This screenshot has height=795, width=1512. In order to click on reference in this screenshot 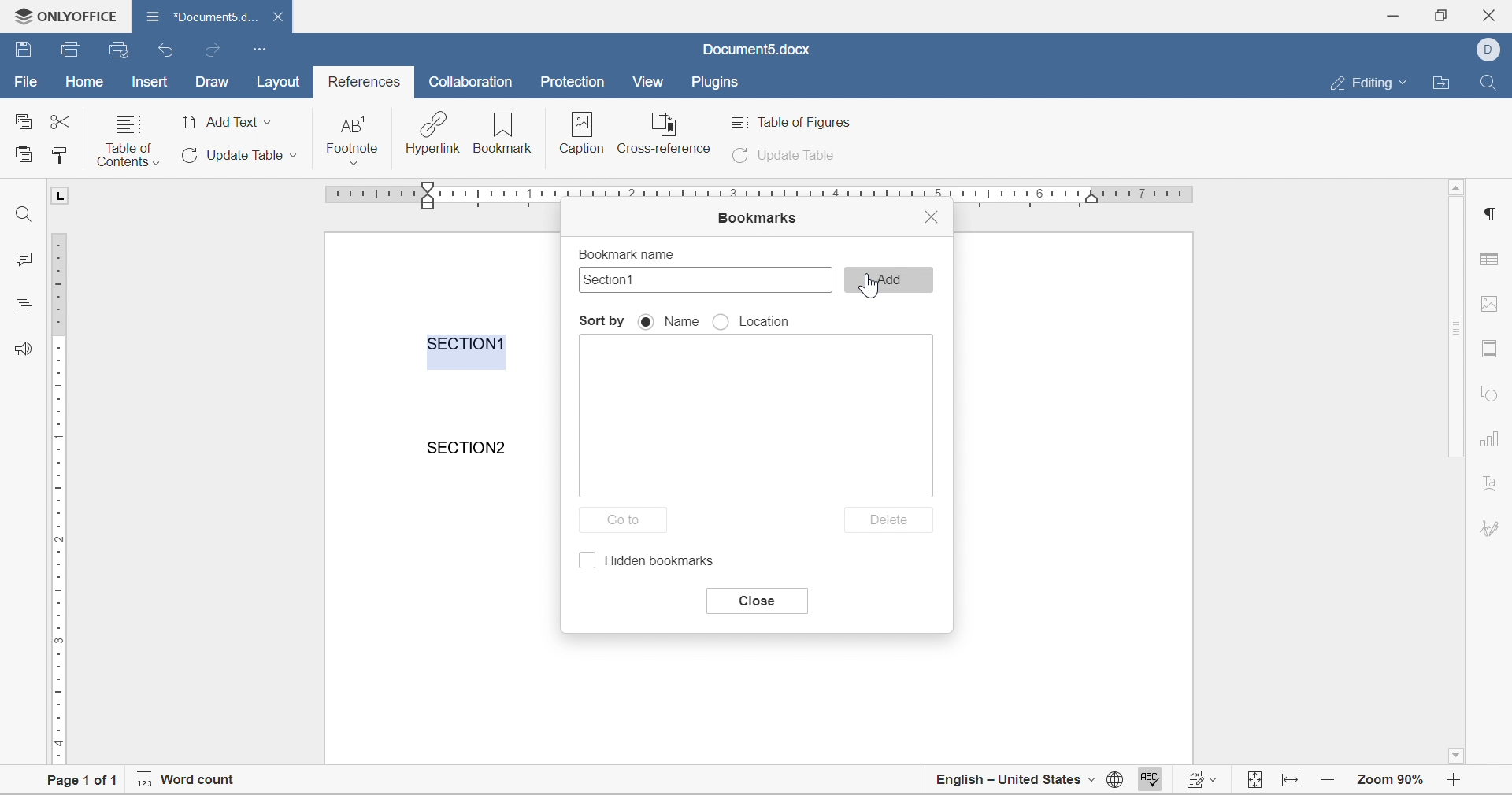, I will do `click(665, 131)`.